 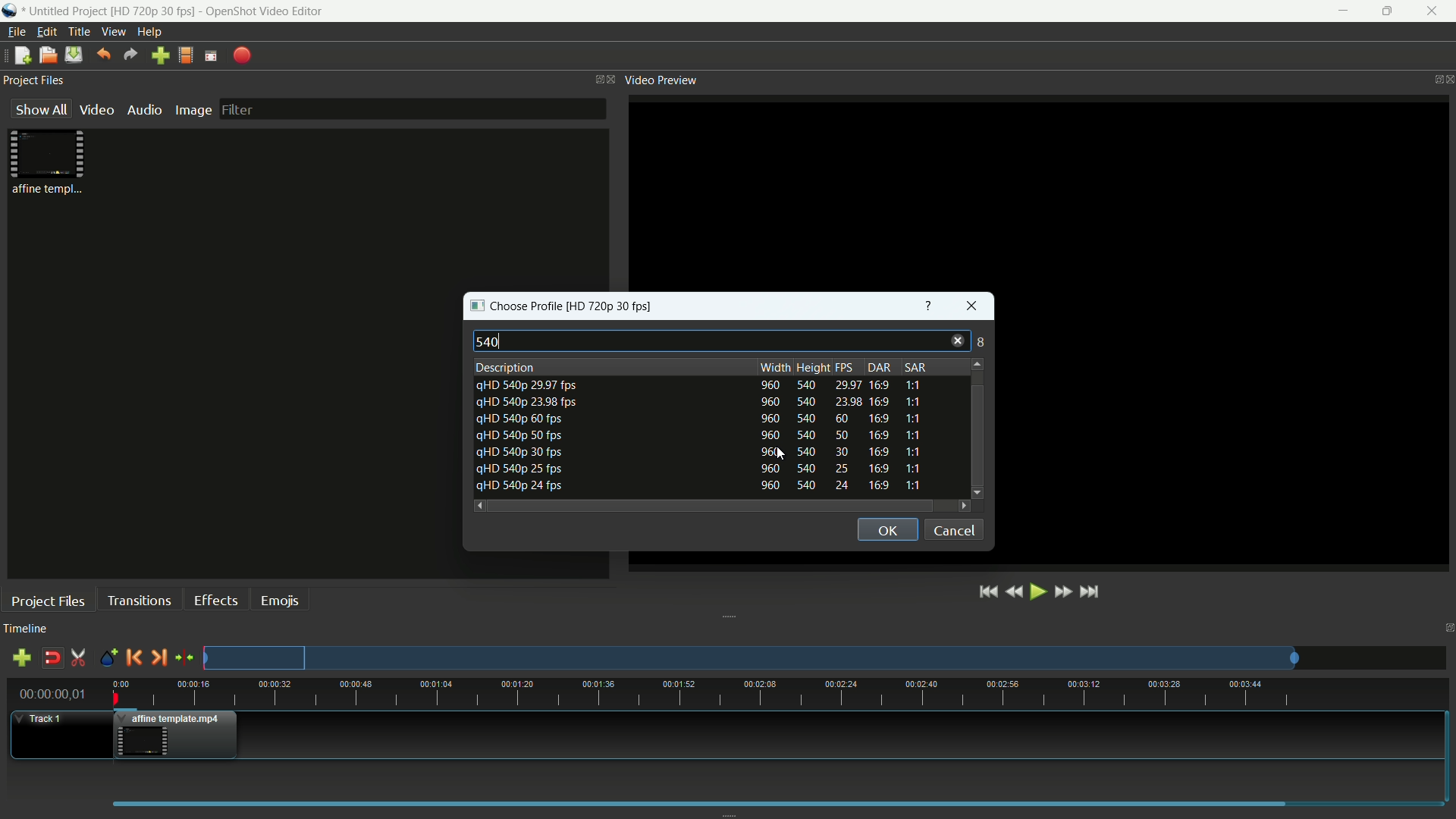 I want to click on description, so click(x=504, y=367).